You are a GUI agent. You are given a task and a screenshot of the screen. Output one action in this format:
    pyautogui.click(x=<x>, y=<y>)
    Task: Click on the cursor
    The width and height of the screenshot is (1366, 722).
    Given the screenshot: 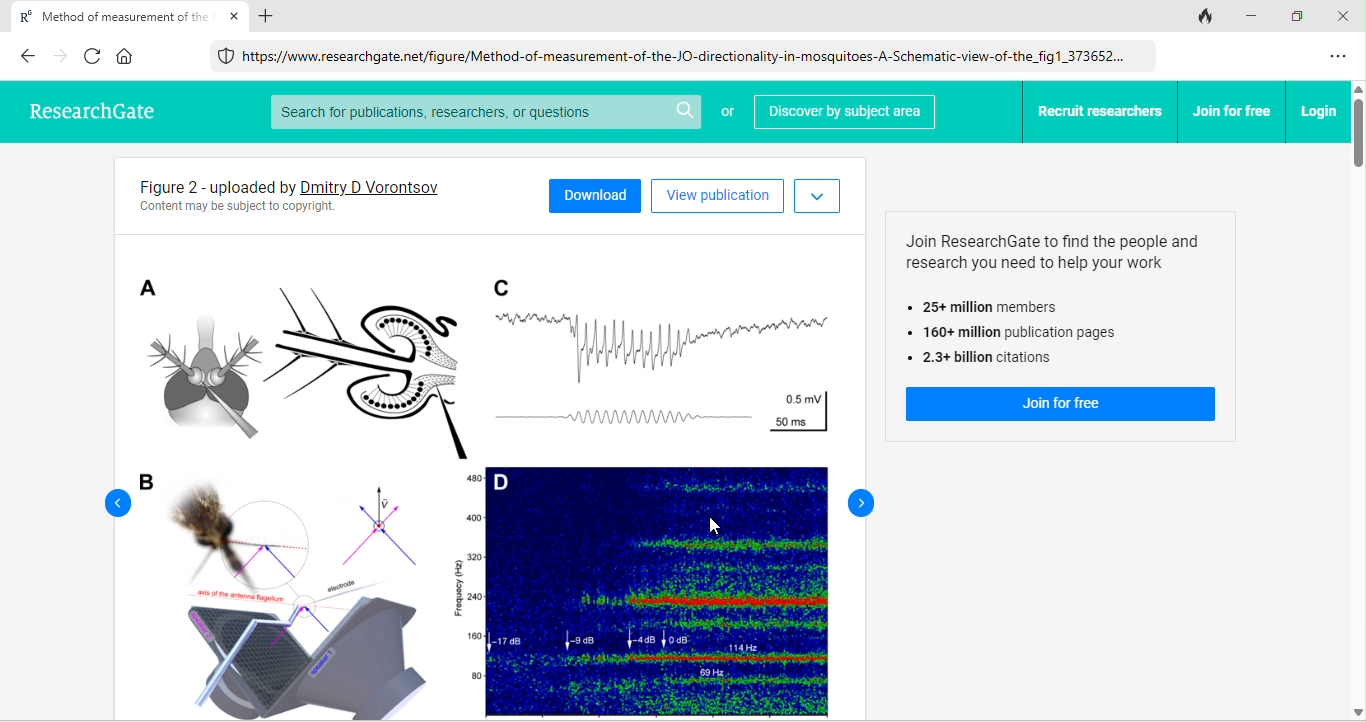 What is the action you would take?
    pyautogui.click(x=719, y=527)
    